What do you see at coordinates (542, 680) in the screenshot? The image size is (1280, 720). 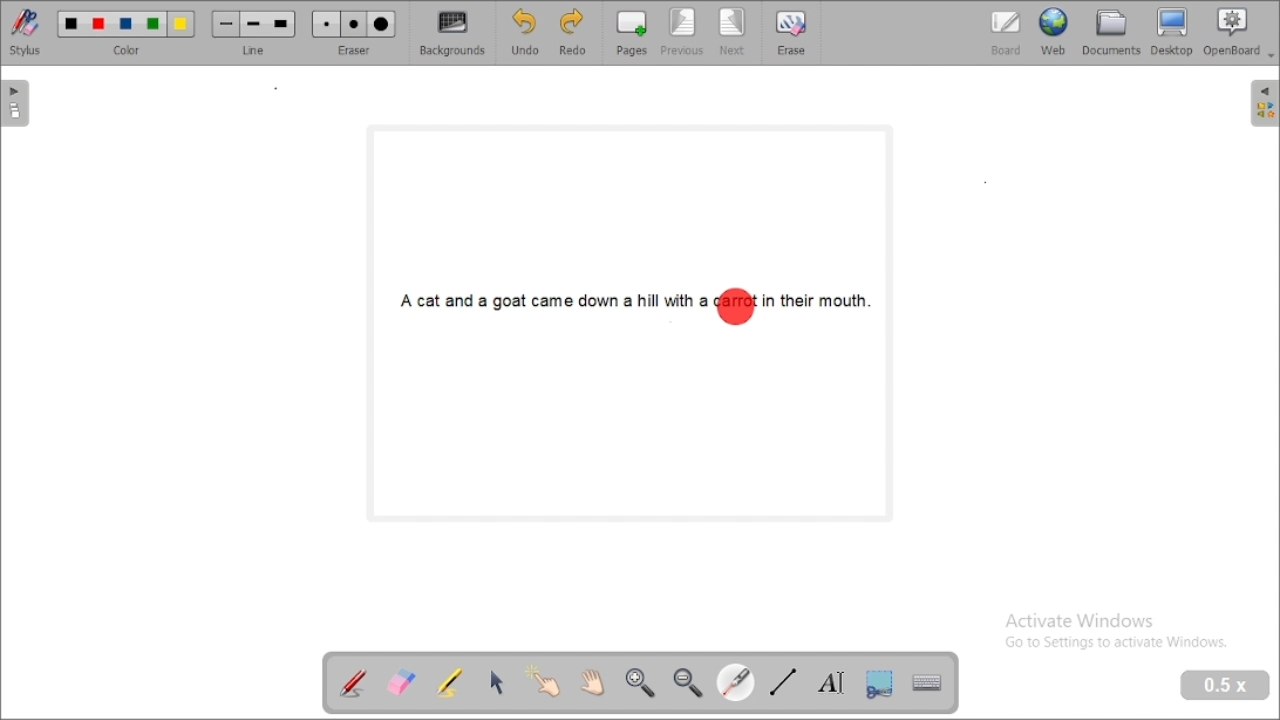 I see `interact with items` at bounding box center [542, 680].